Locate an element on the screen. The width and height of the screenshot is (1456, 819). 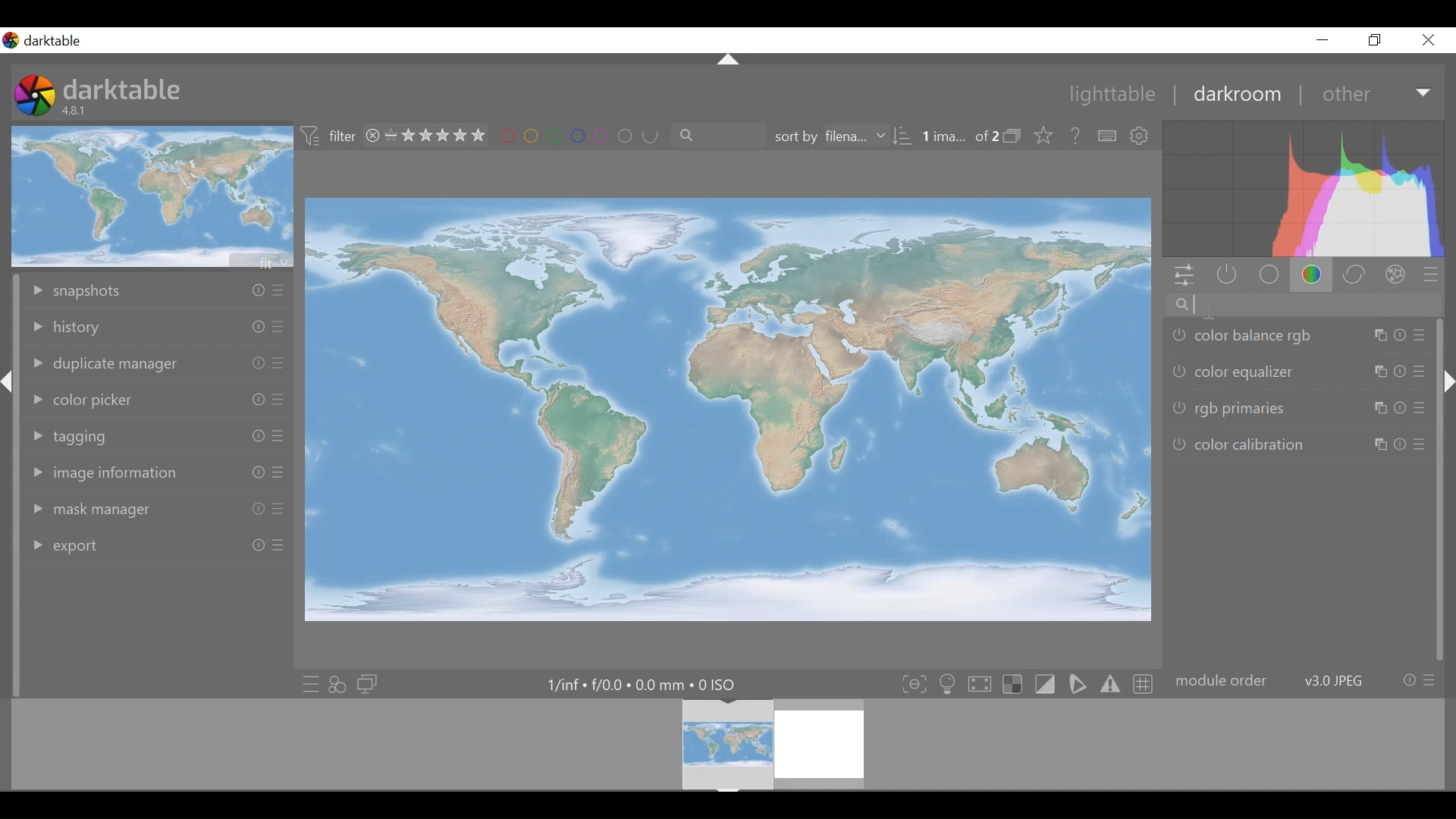
vertical scroll bar is located at coordinates (1443, 534).